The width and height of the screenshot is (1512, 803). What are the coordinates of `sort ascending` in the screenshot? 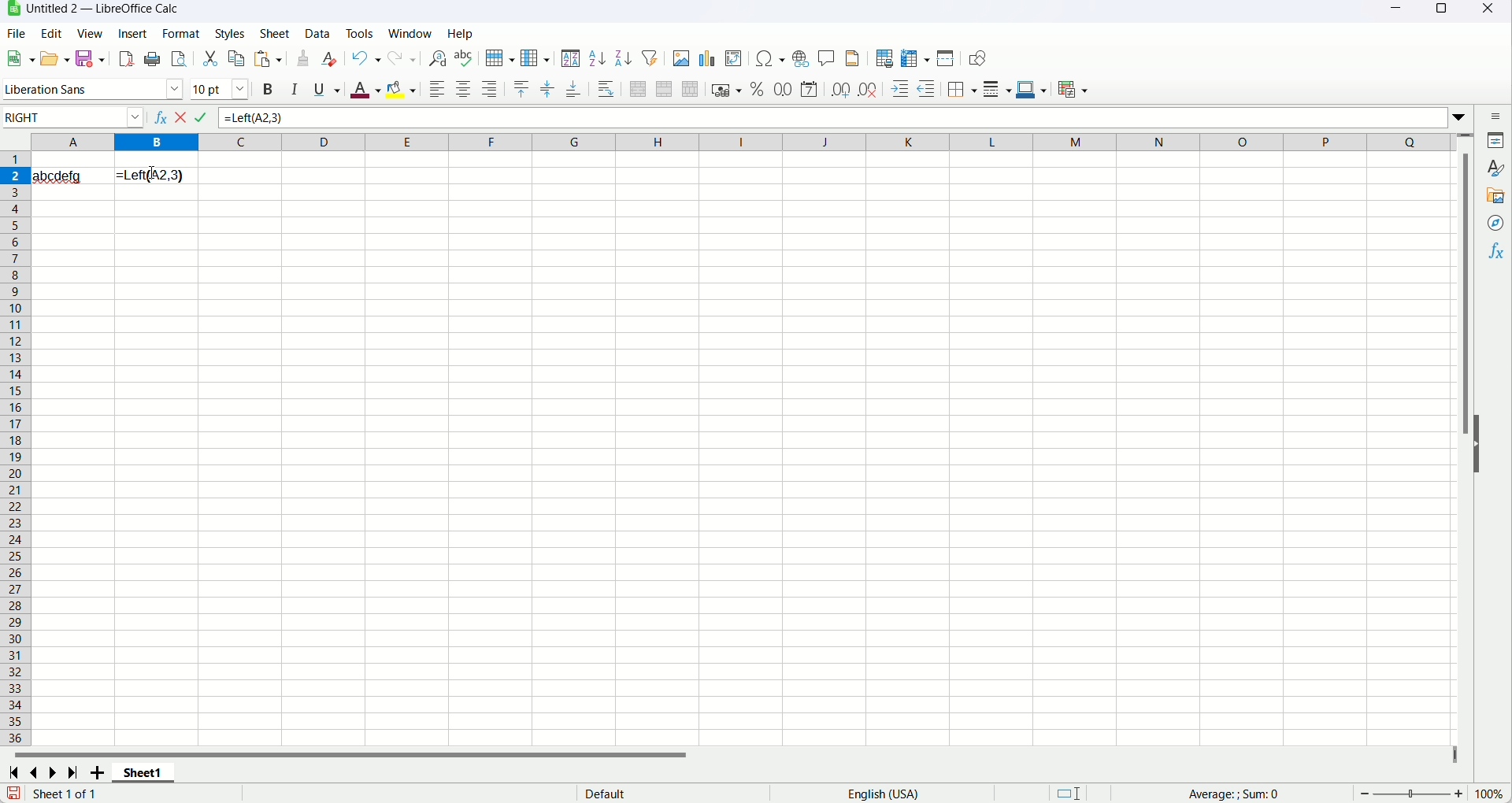 It's located at (596, 59).